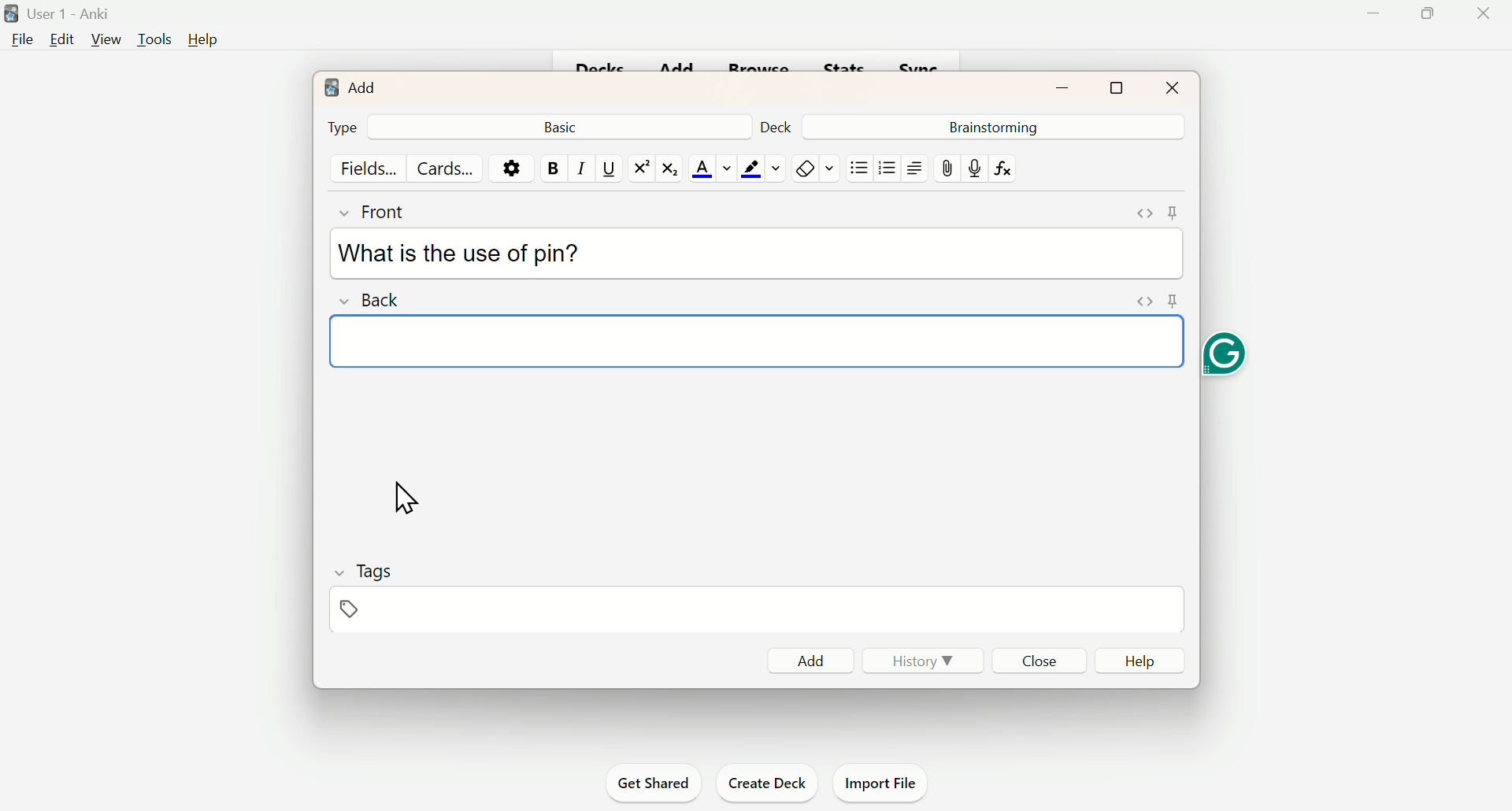 This screenshot has height=811, width=1512. What do you see at coordinates (973, 168) in the screenshot?
I see `mic` at bounding box center [973, 168].